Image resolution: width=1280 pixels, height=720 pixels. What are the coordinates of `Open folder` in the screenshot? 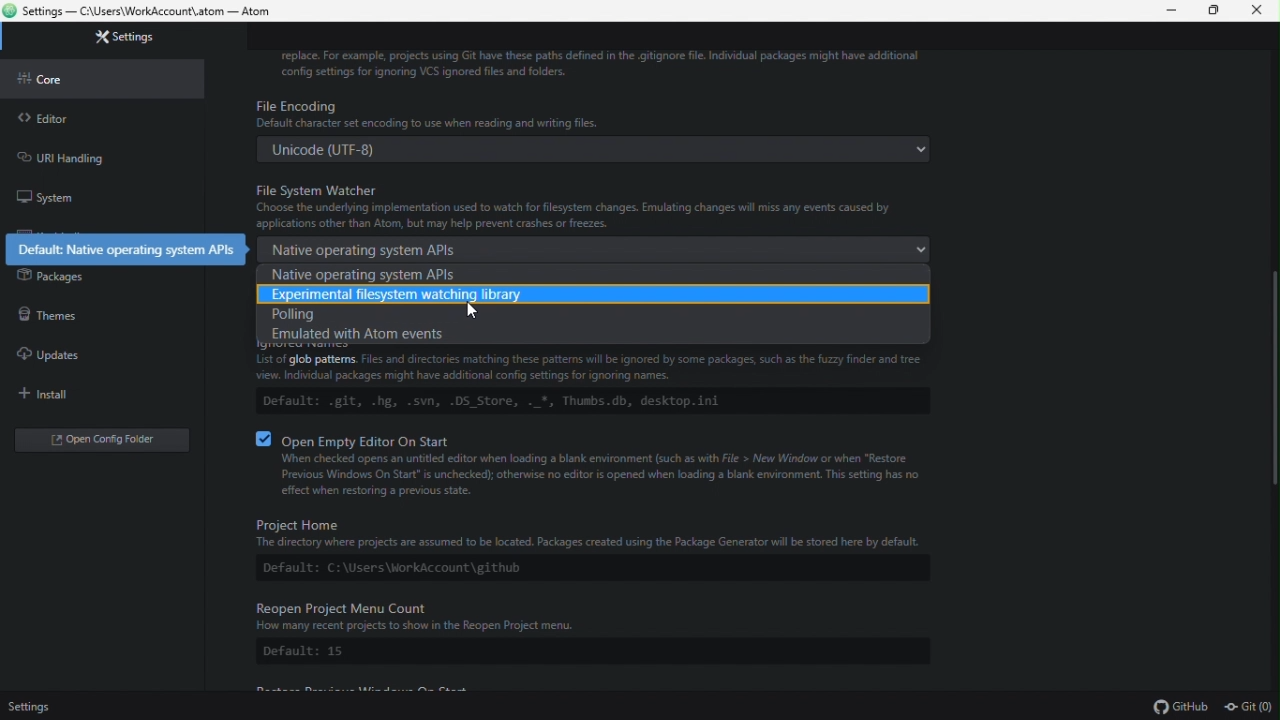 It's located at (92, 439).